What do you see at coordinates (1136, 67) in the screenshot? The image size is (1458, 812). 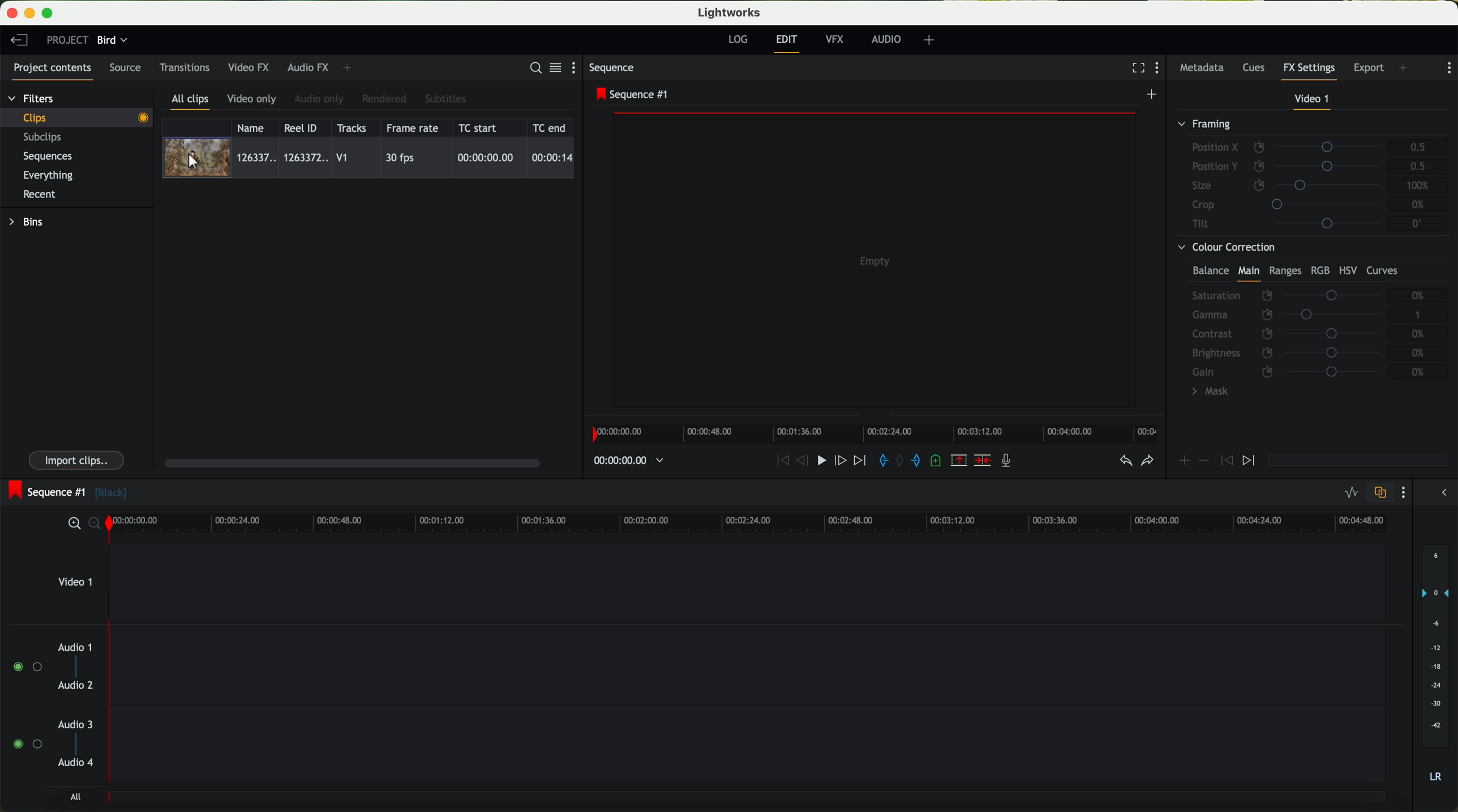 I see `fullscreen` at bounding box center [1136, 67].